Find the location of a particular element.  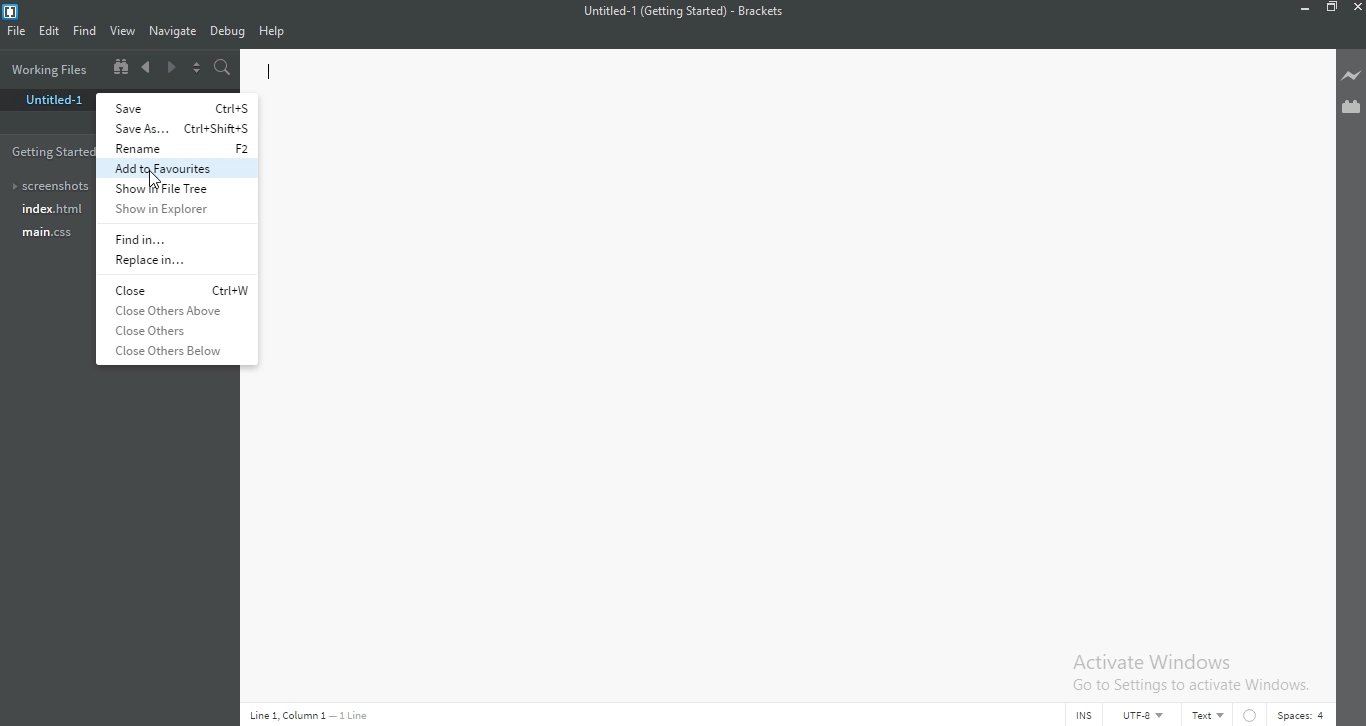

close others below is located at coordinates (178, 351).